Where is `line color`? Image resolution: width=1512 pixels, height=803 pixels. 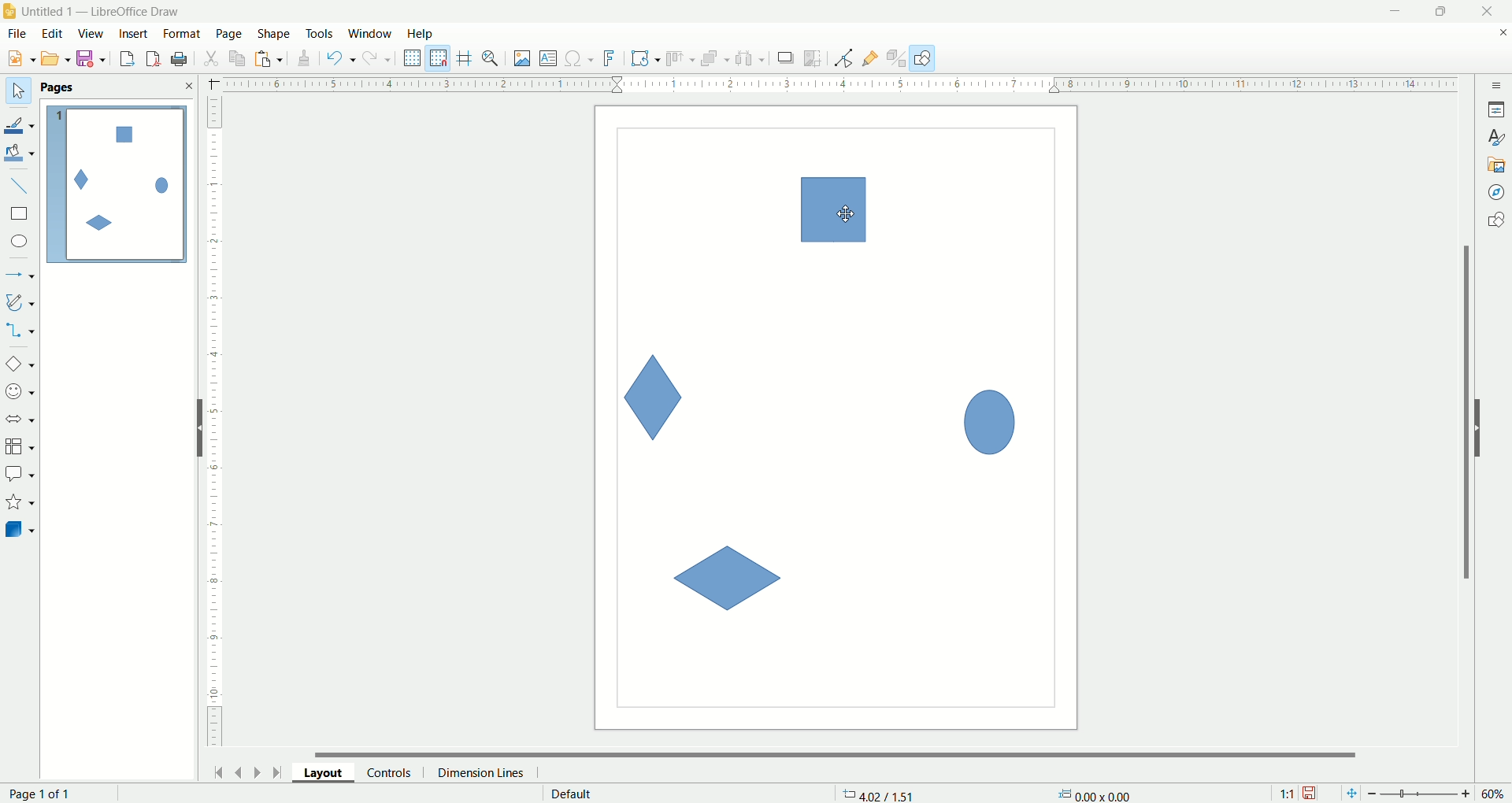 line color is located at coordinates (20, 124).